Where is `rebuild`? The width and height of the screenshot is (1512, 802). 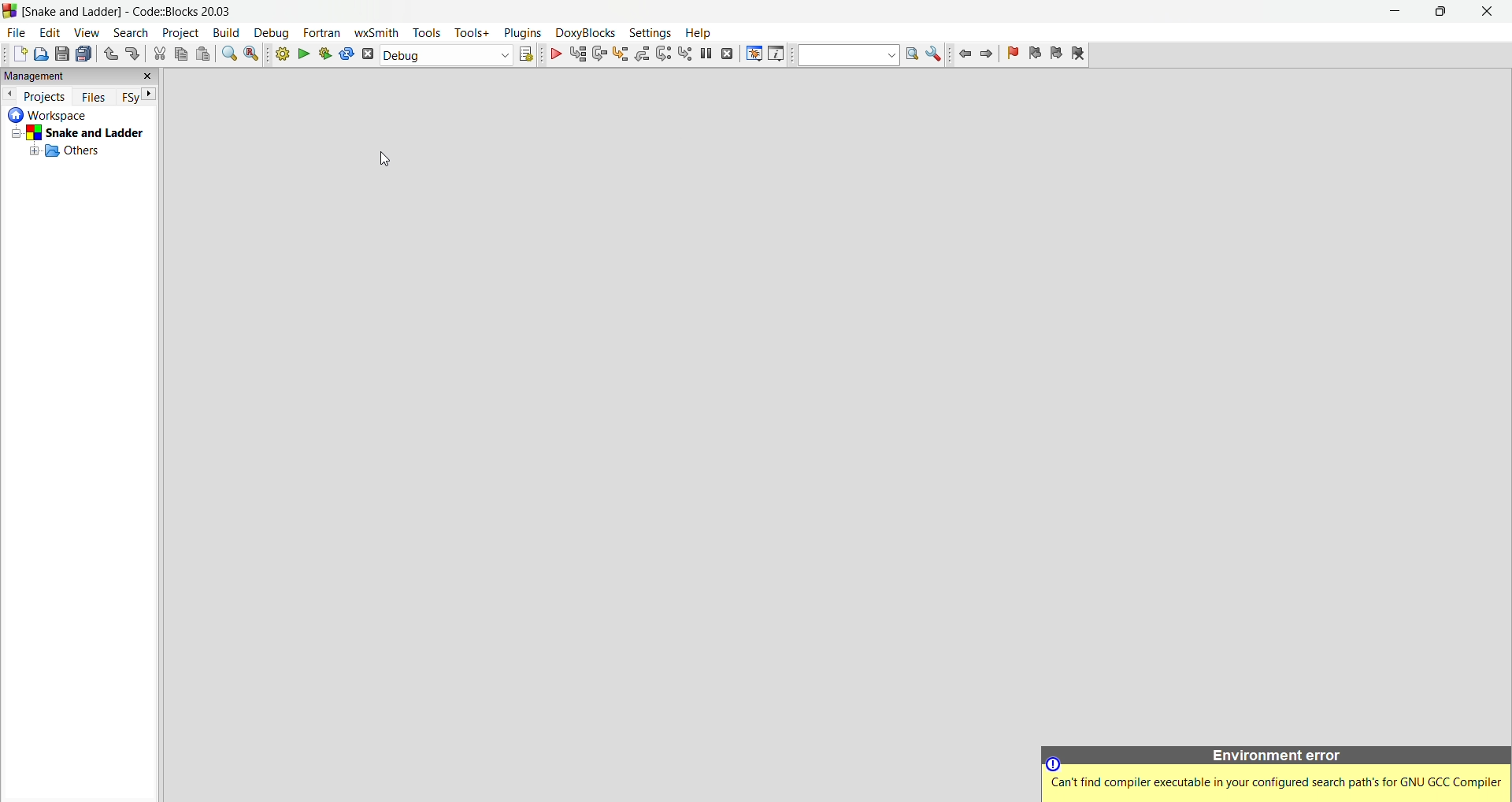 rebuild is located at coordinates (347, 56).